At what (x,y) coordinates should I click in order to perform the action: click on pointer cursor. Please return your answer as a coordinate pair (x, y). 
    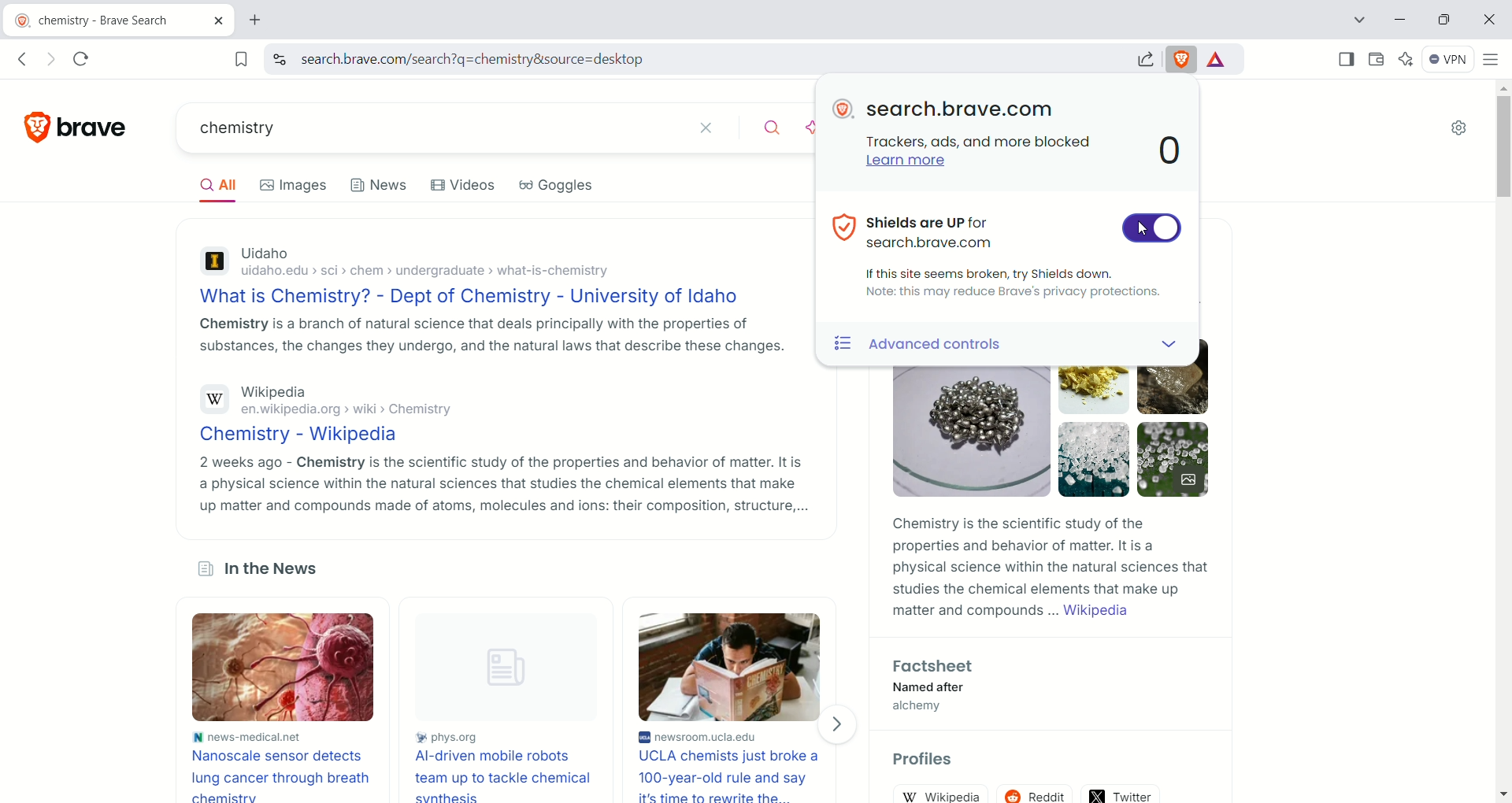
    Looking at the image, I should click on (1140, 230).